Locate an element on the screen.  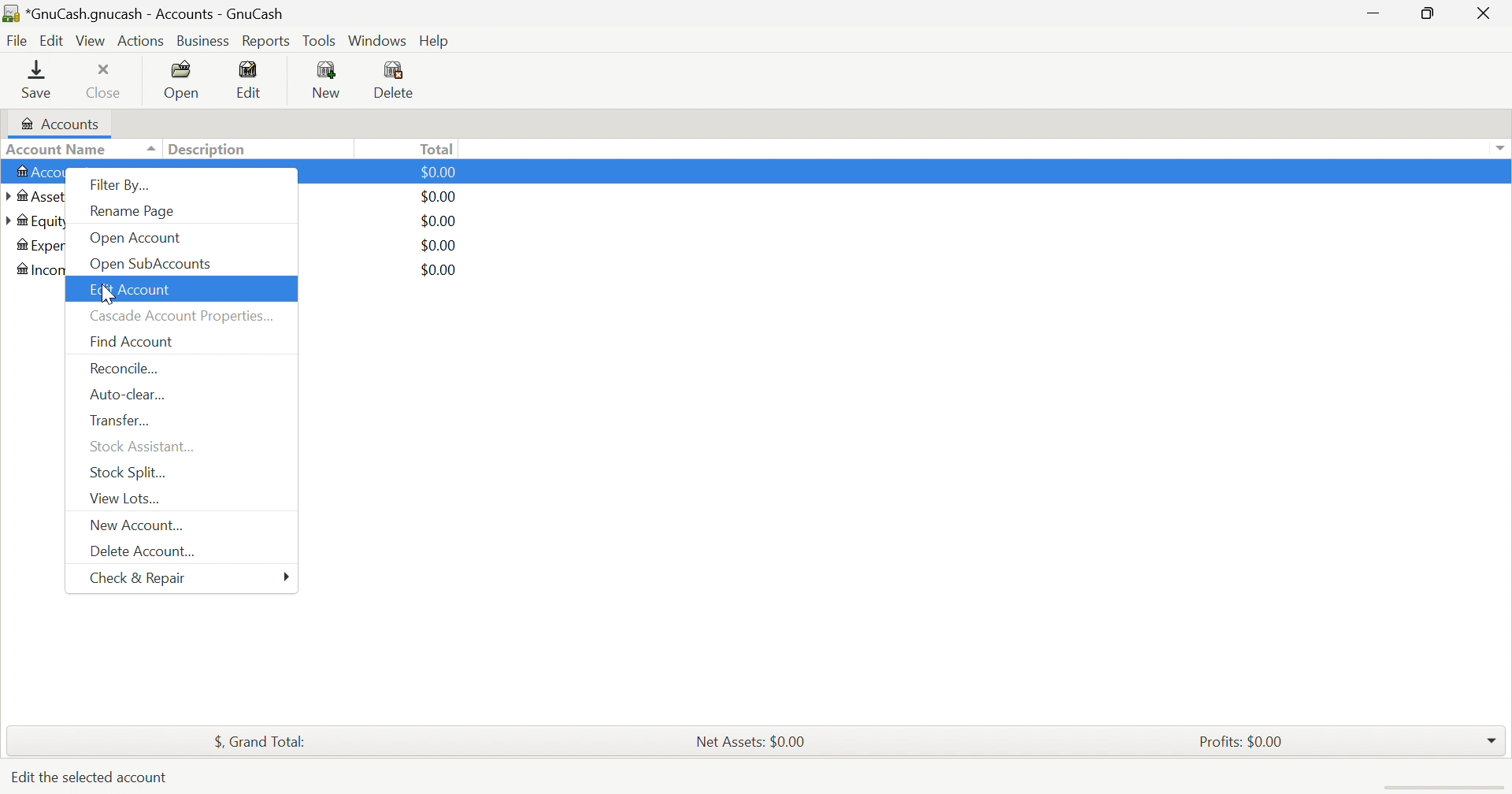
Find Account is located at coordinates (133, 342).